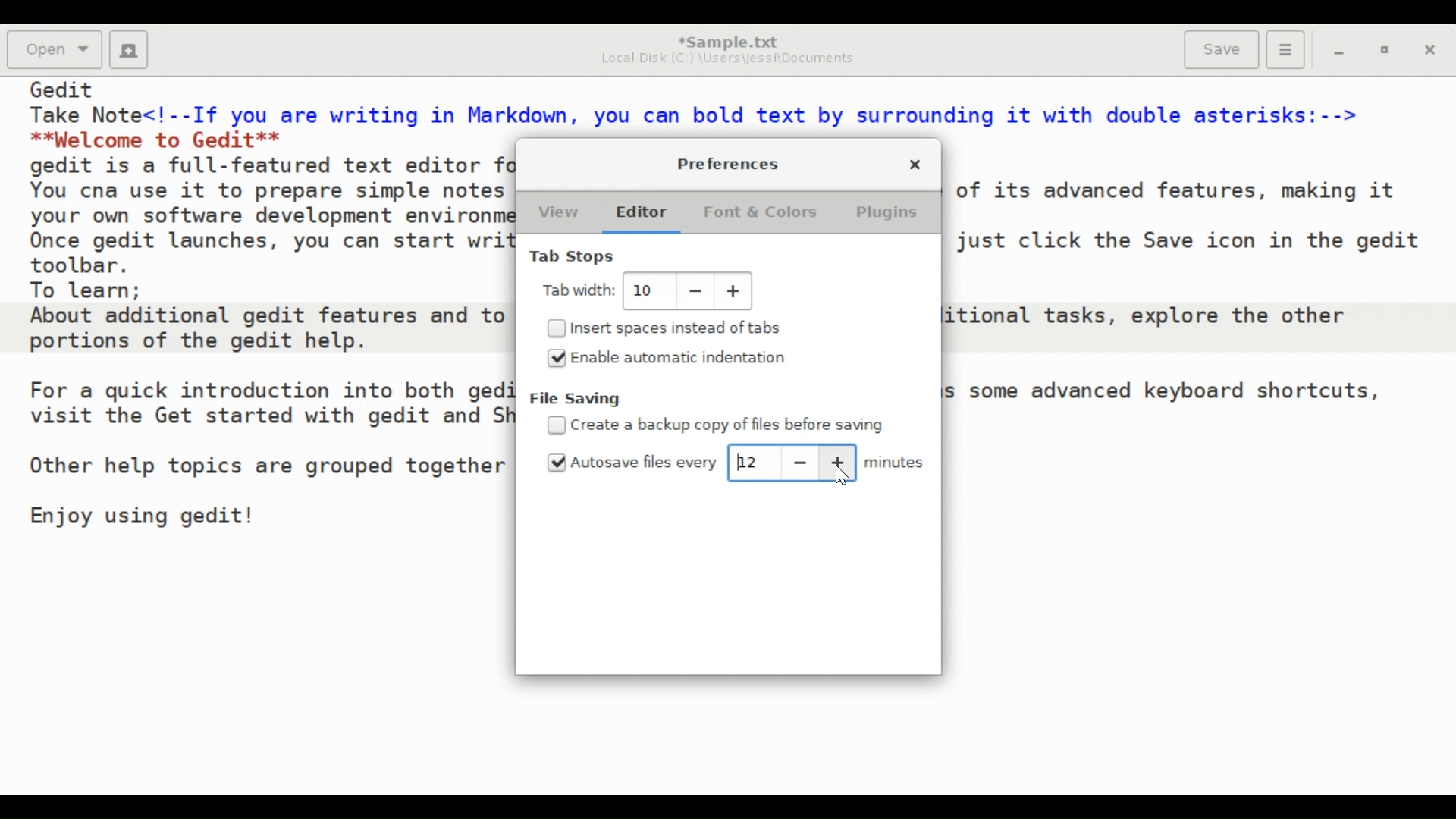  What do you see at coordinates (648, 290) in the screenshot?
I see `Adjust Tab Width: 10` at bounding box center [648, 290].